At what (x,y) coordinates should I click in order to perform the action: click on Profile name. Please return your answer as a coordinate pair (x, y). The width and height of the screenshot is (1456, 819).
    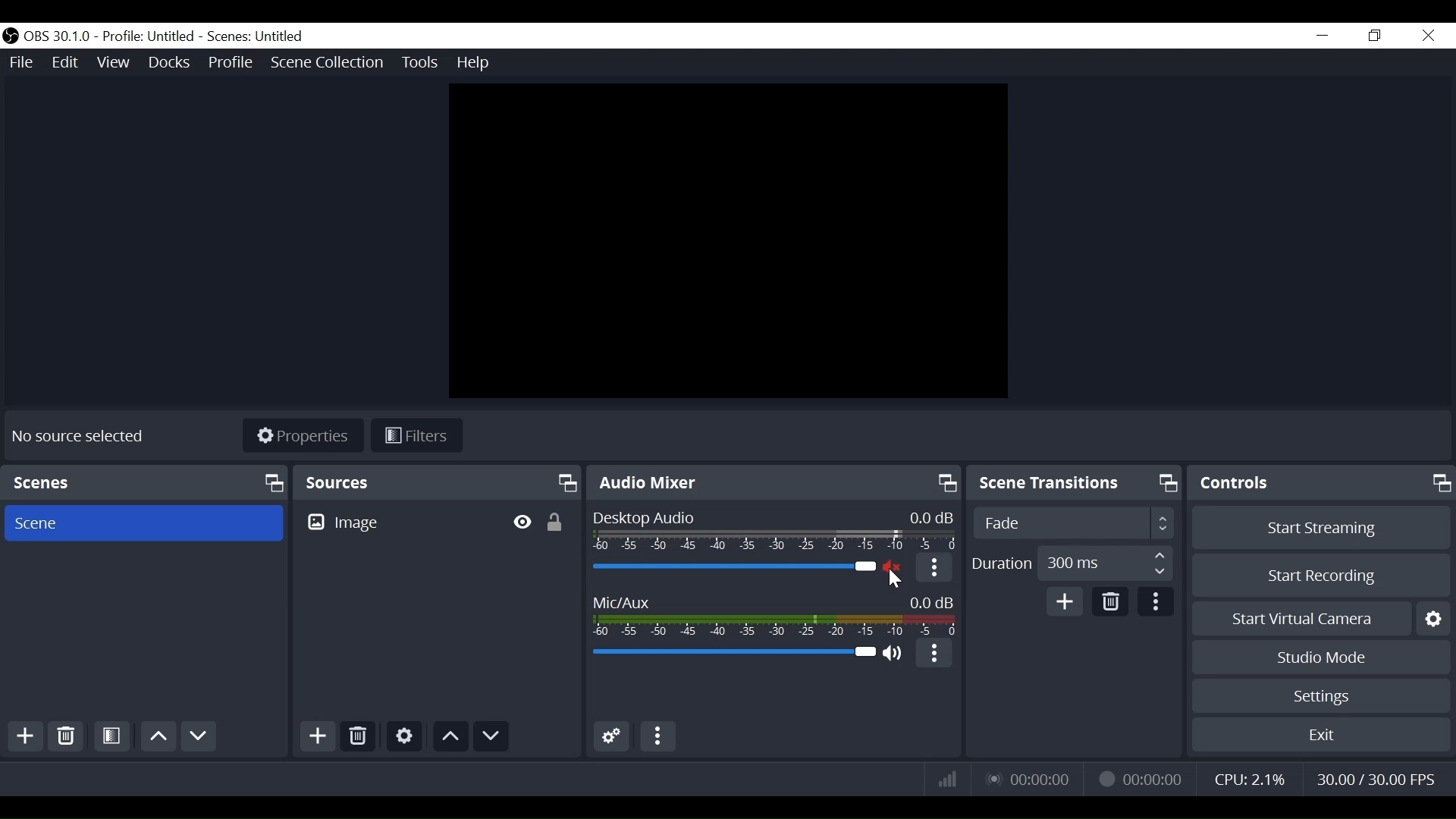
    Looking at the image, I should click on (147, 37).